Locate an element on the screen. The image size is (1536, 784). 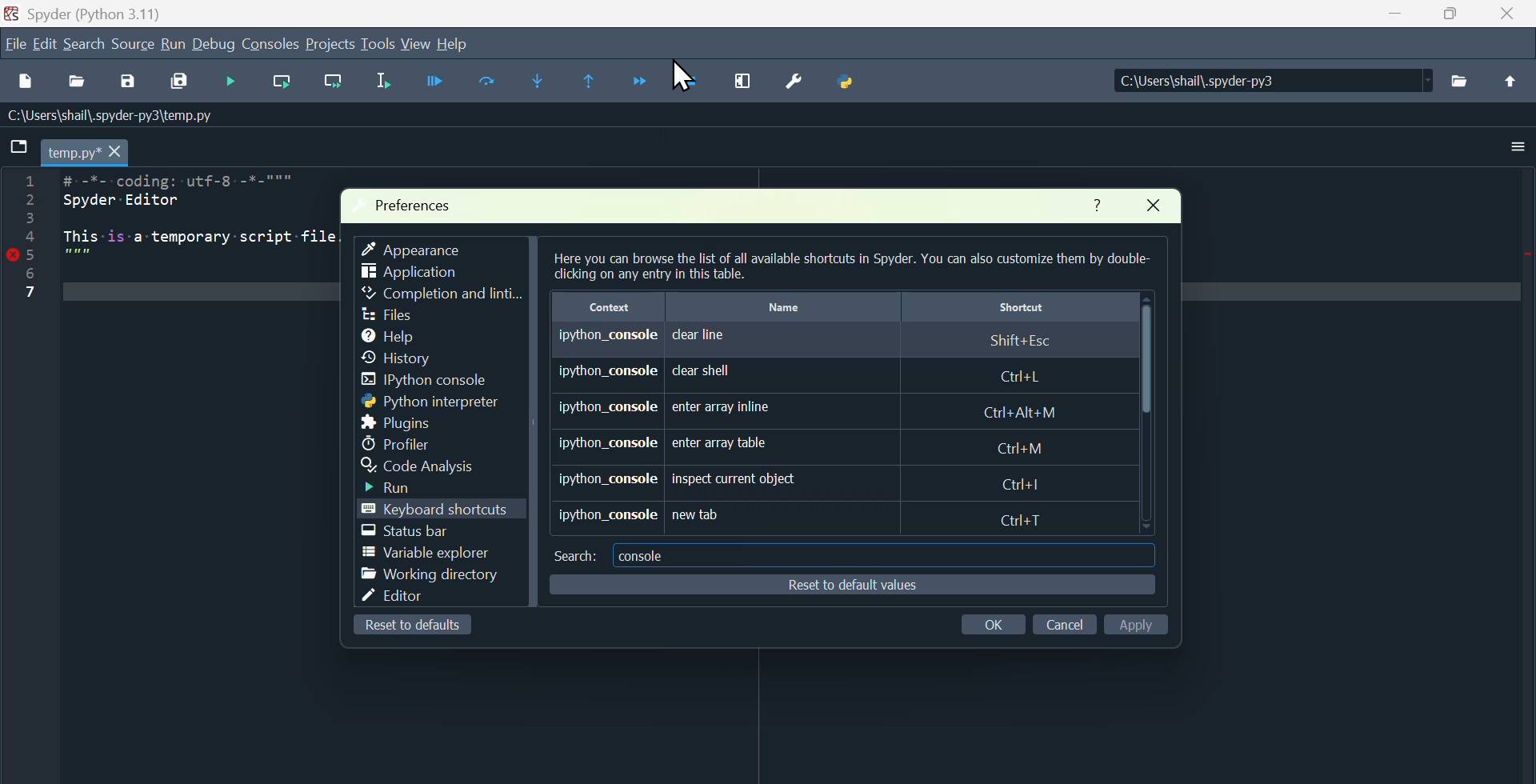
maximise is located at coordinates (1452, 19).